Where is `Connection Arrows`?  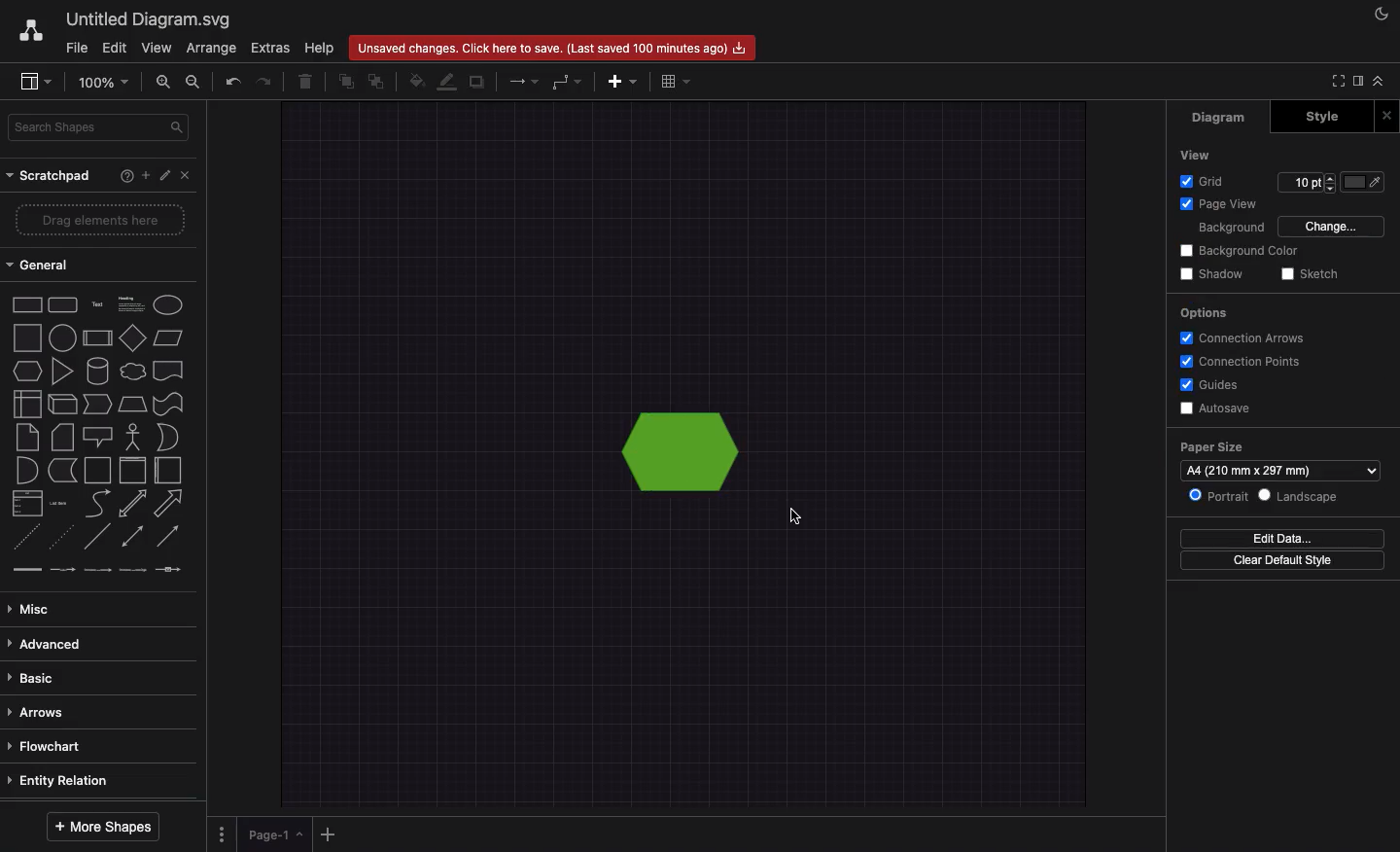 Connection Arrows is located at coordinates (1246, 337).